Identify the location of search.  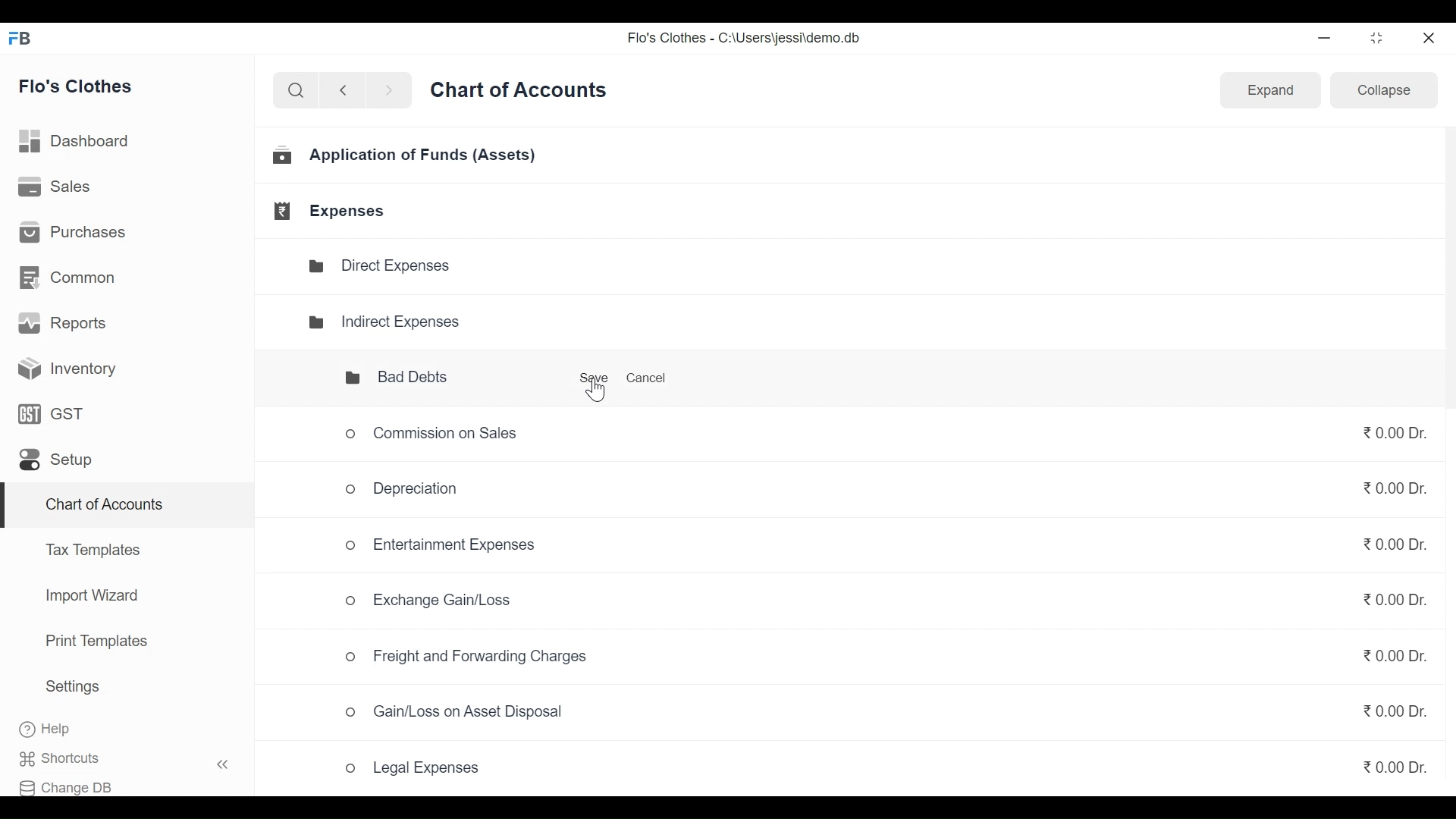
(296, 91).